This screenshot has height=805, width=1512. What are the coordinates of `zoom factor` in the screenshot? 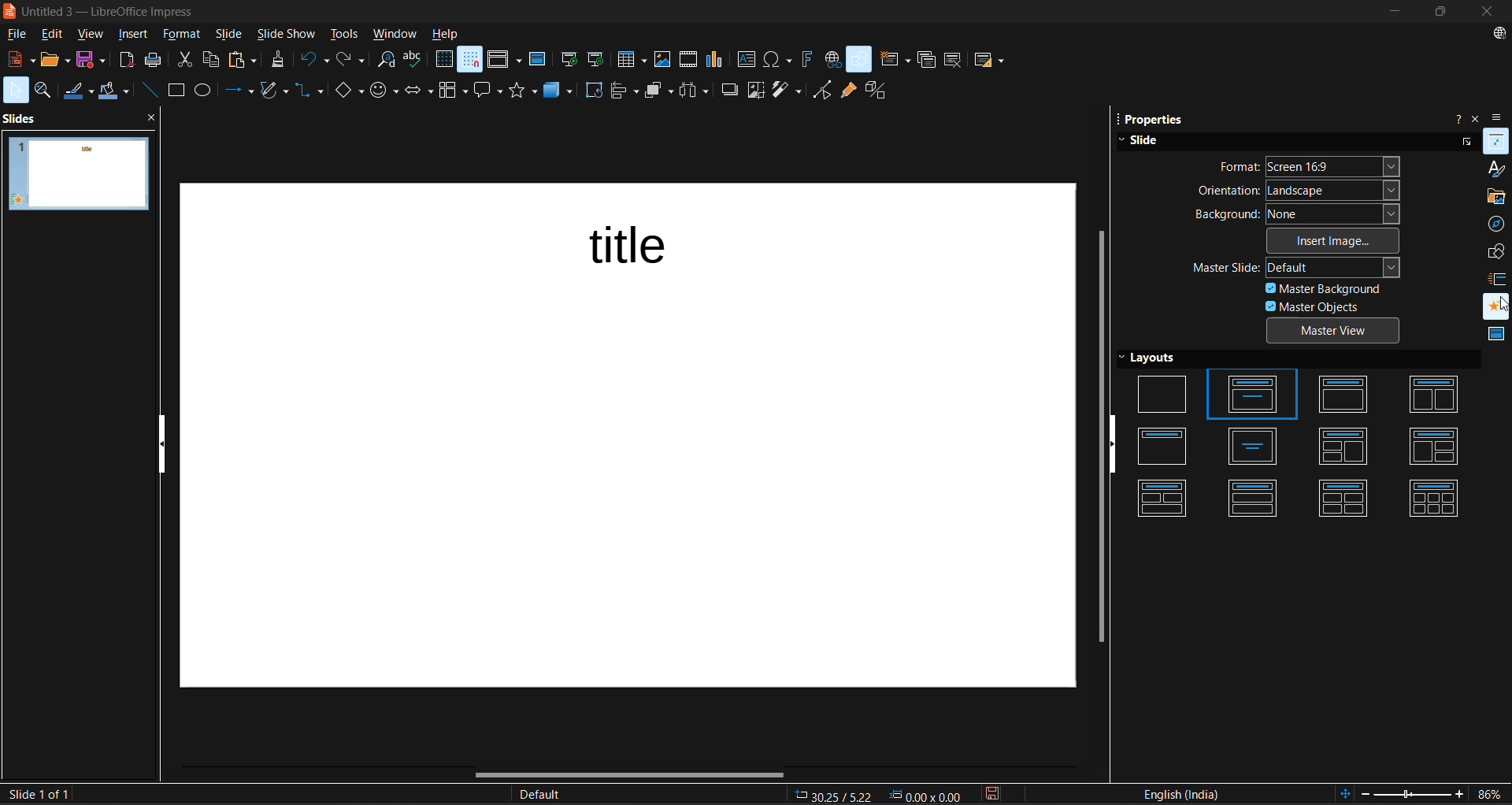 It's located at (1492, 794).